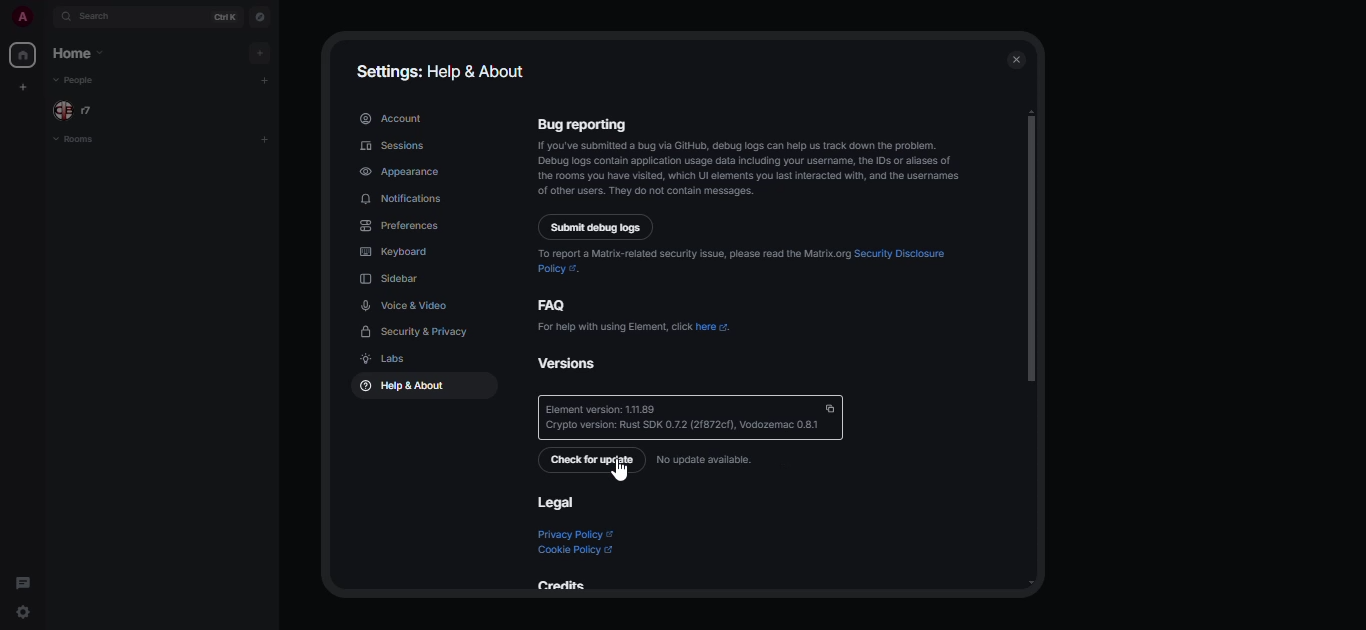 The width and height of the screenshot is (1366, 630). Describe the element at coordinates (262, 139) in the screenshot. I see `add` at that location.